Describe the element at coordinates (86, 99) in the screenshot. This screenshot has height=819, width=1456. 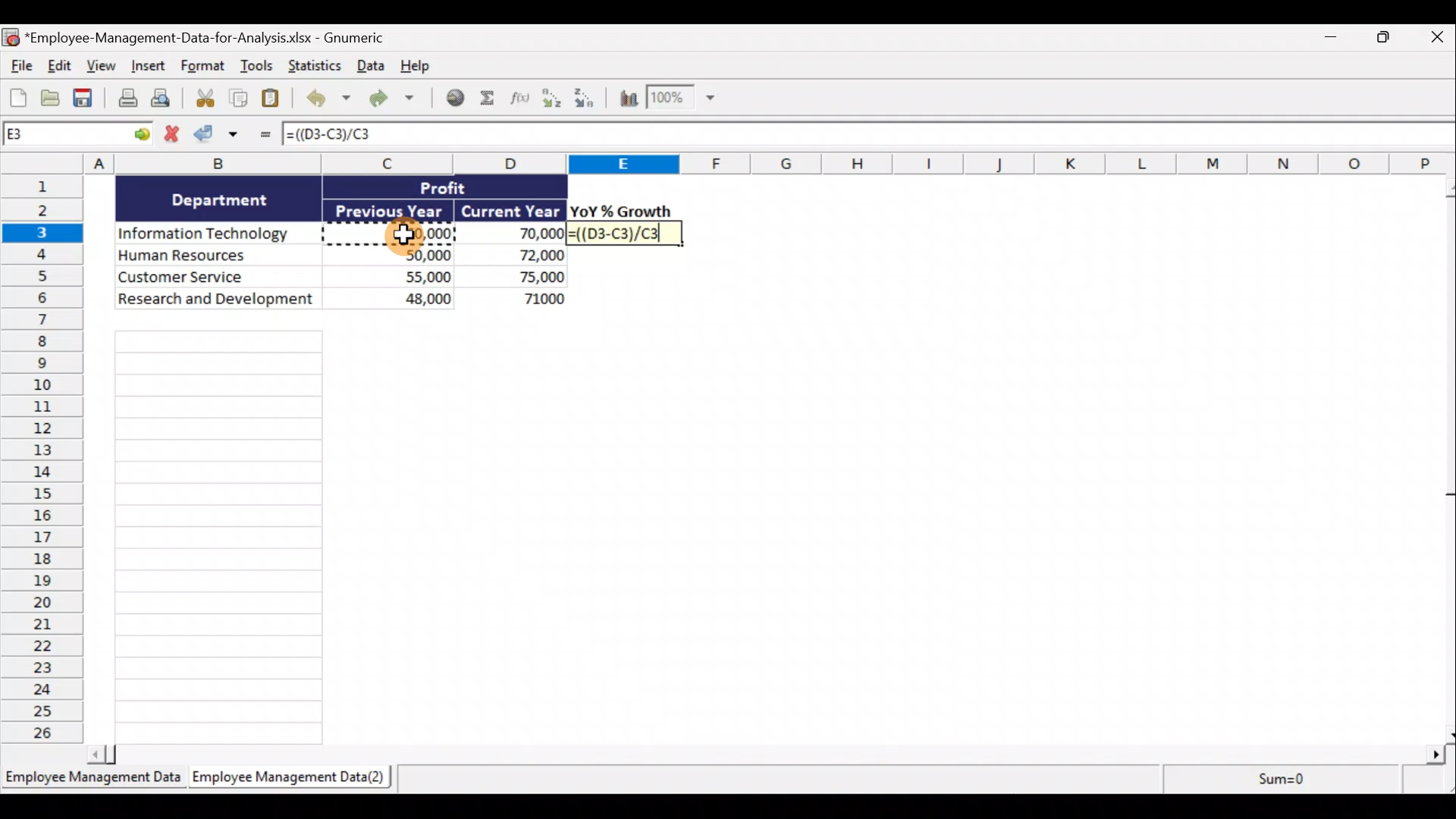
I see `Save the current workbook` at that location.